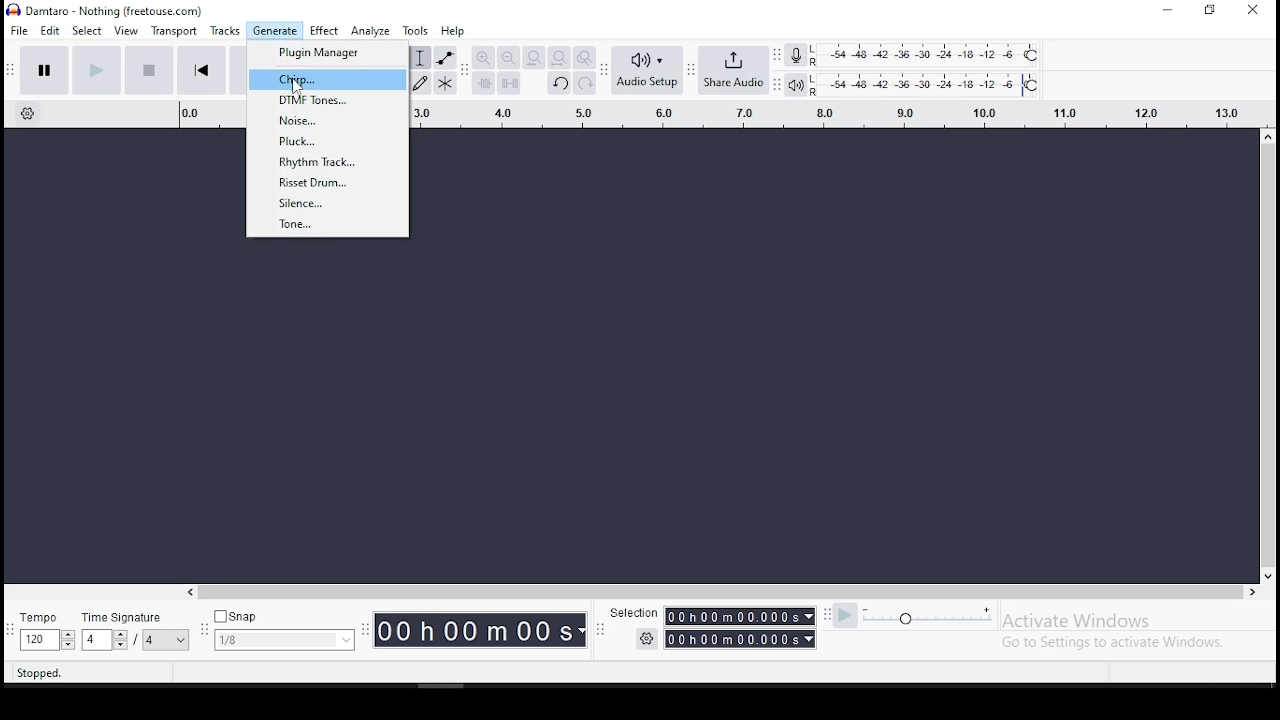 The width and height of the screenshot is (1280, 720). What do you see at coordinates (1168, 9) in the screenshot?
I see `` at bounding box center [1168, 9].